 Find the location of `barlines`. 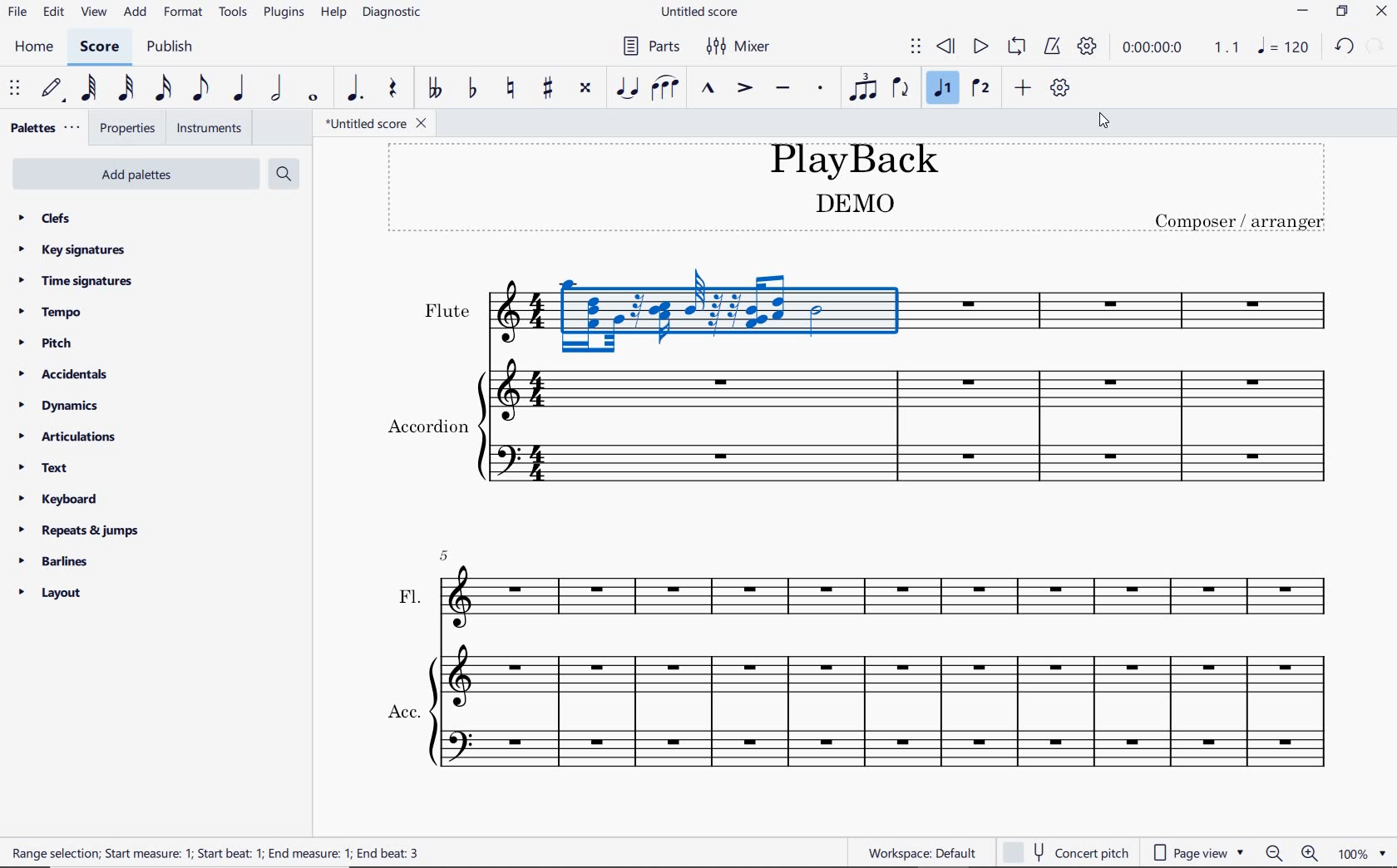

barlines is located at coordinates (59, 562).